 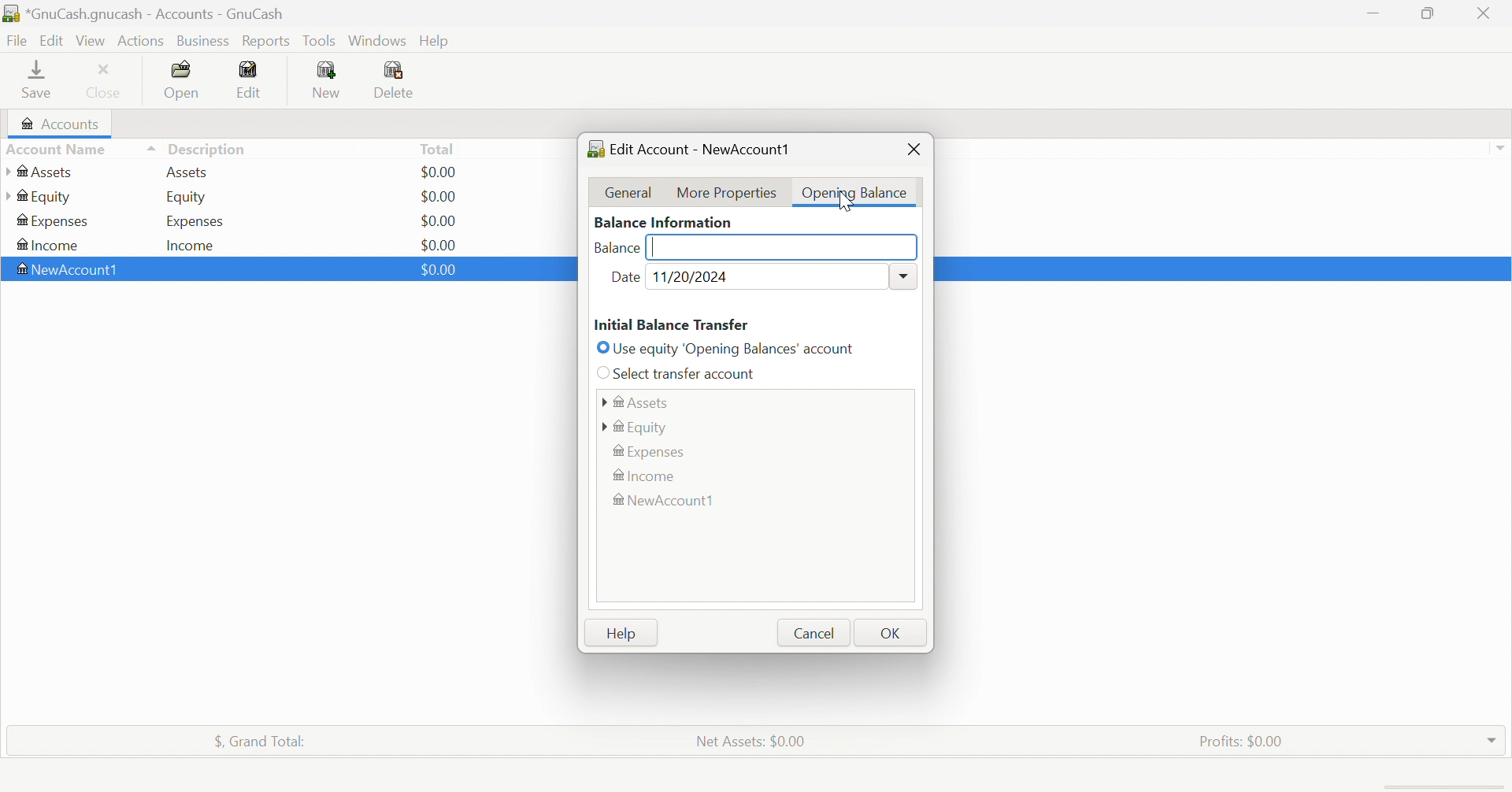 What do you see at coordinates (437, 270) in the screenshot?
I see `$0.00` at bounding box center [437, 270].